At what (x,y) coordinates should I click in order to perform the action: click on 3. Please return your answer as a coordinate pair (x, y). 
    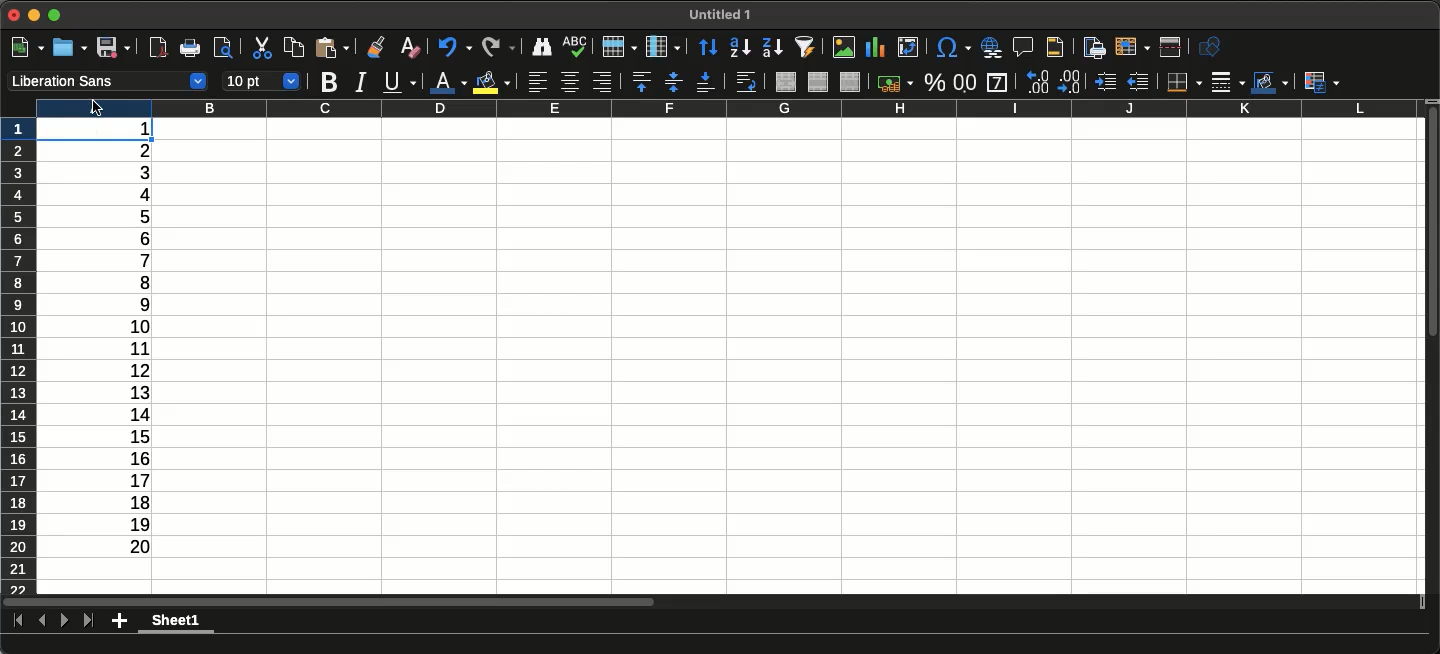
    Looking at the image, I should click on (127, 173).